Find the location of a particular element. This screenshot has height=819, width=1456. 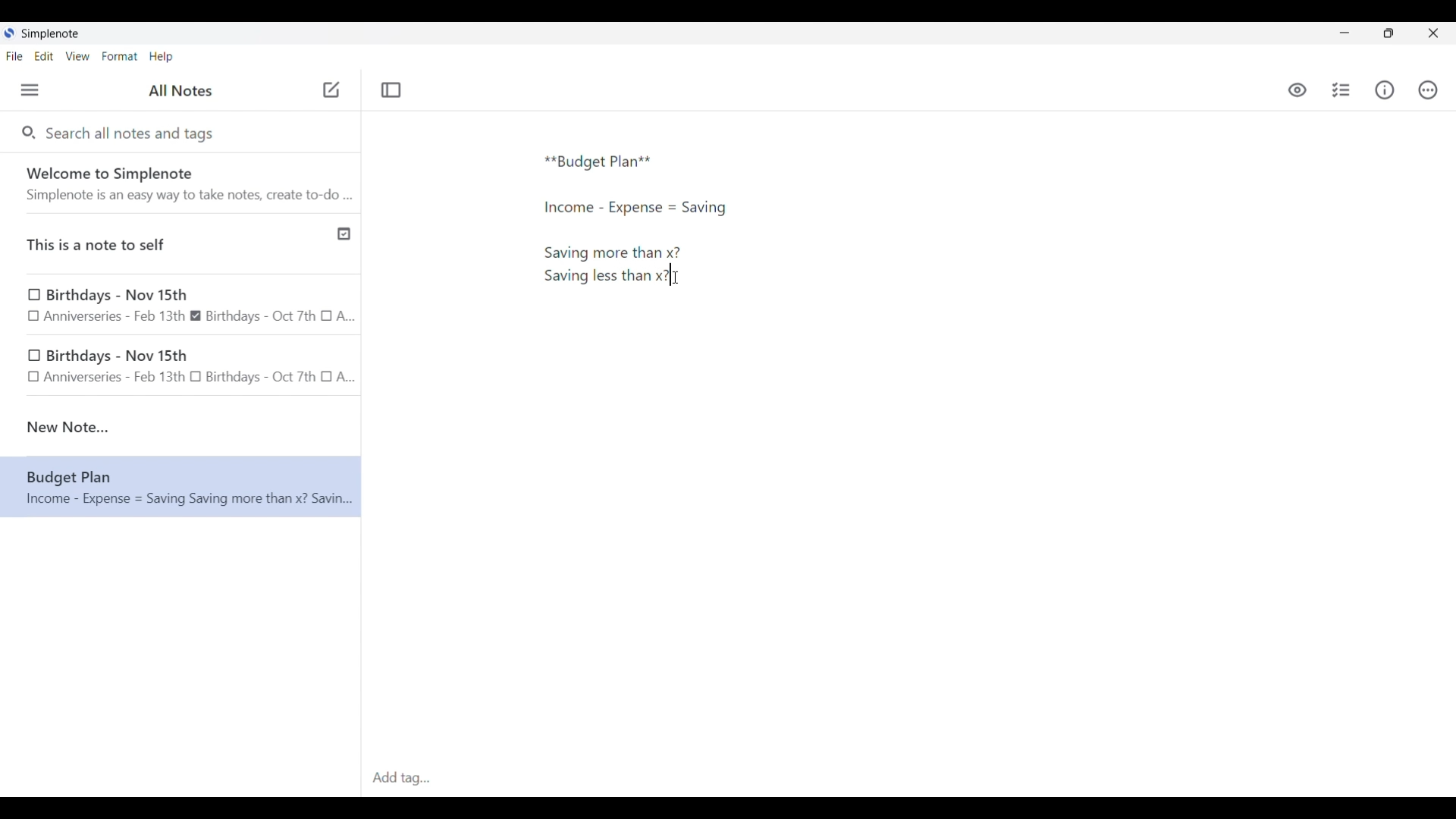

Software name is located at coordinates (52, 34).